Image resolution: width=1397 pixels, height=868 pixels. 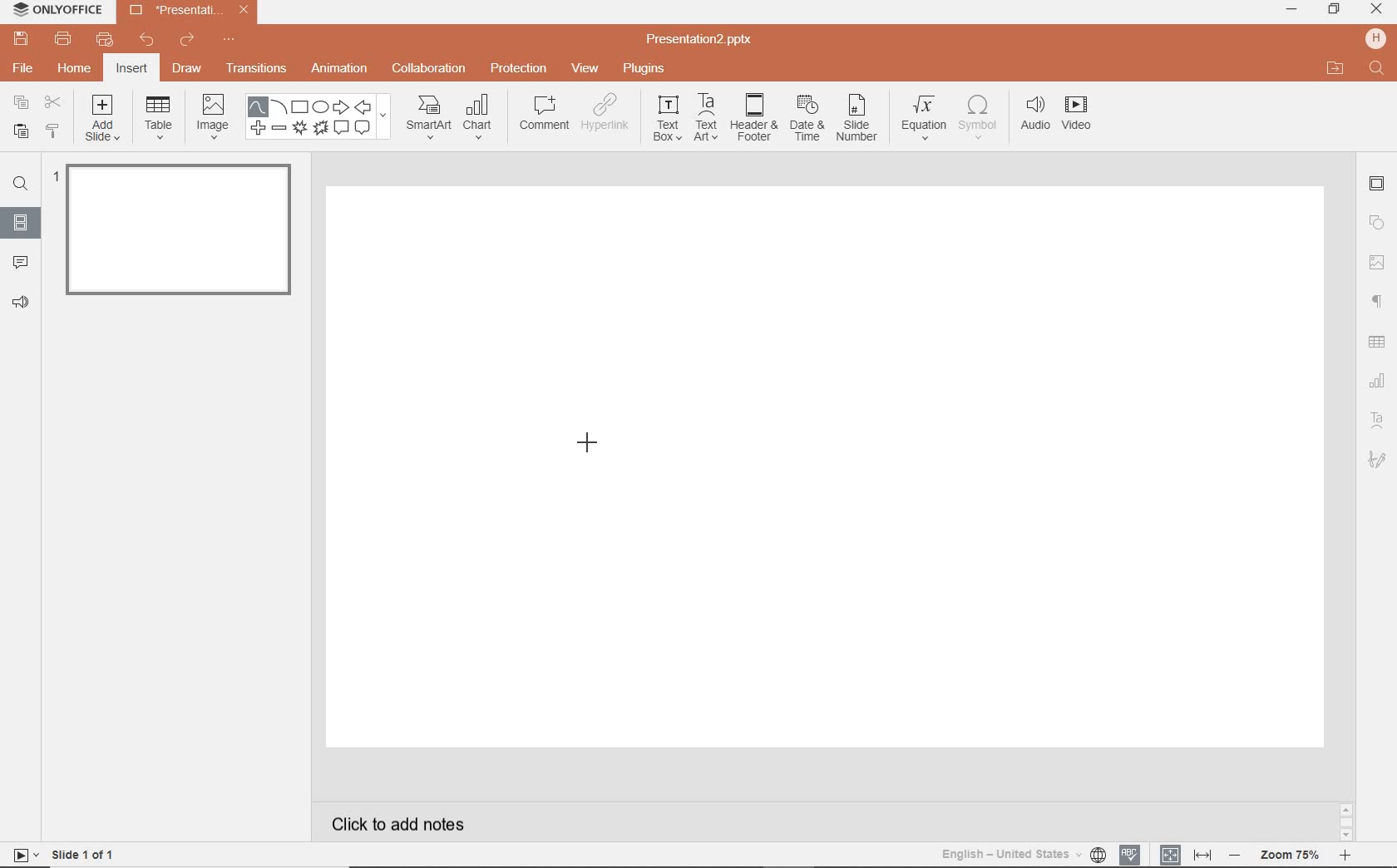 I want to click on TEXT LANGUAGE, so click(x=1023, y=852).